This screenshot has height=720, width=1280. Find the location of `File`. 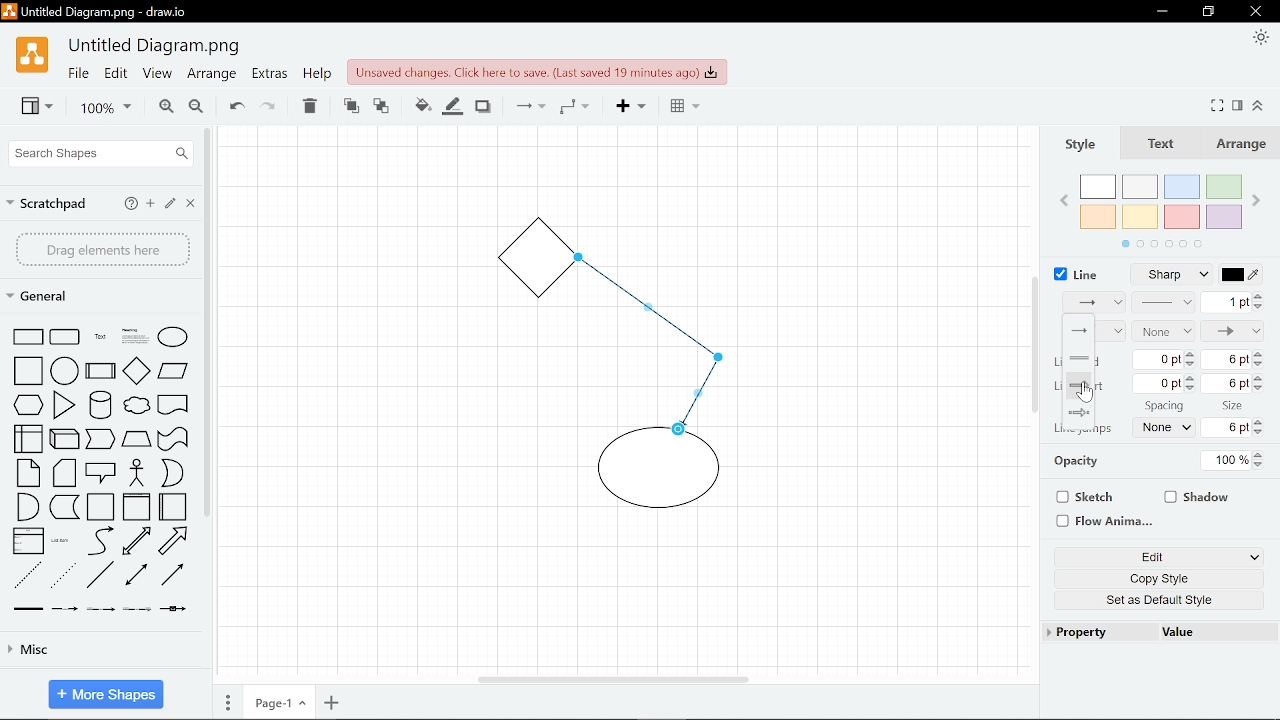

File is located at coordinates (77, 75).